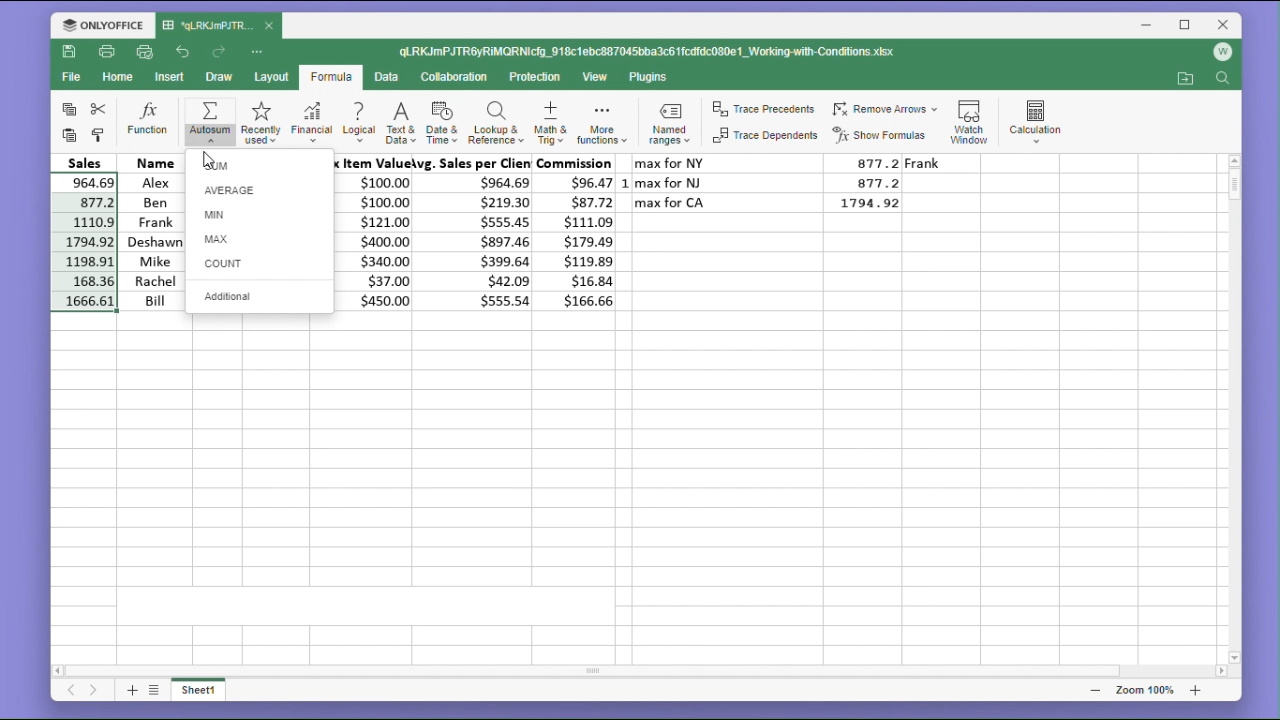 The height and width of the screenshot is (720, 1280). Describe the element at coordinates (70, 693) in the screenshot. I see `previous sheet` at that location.